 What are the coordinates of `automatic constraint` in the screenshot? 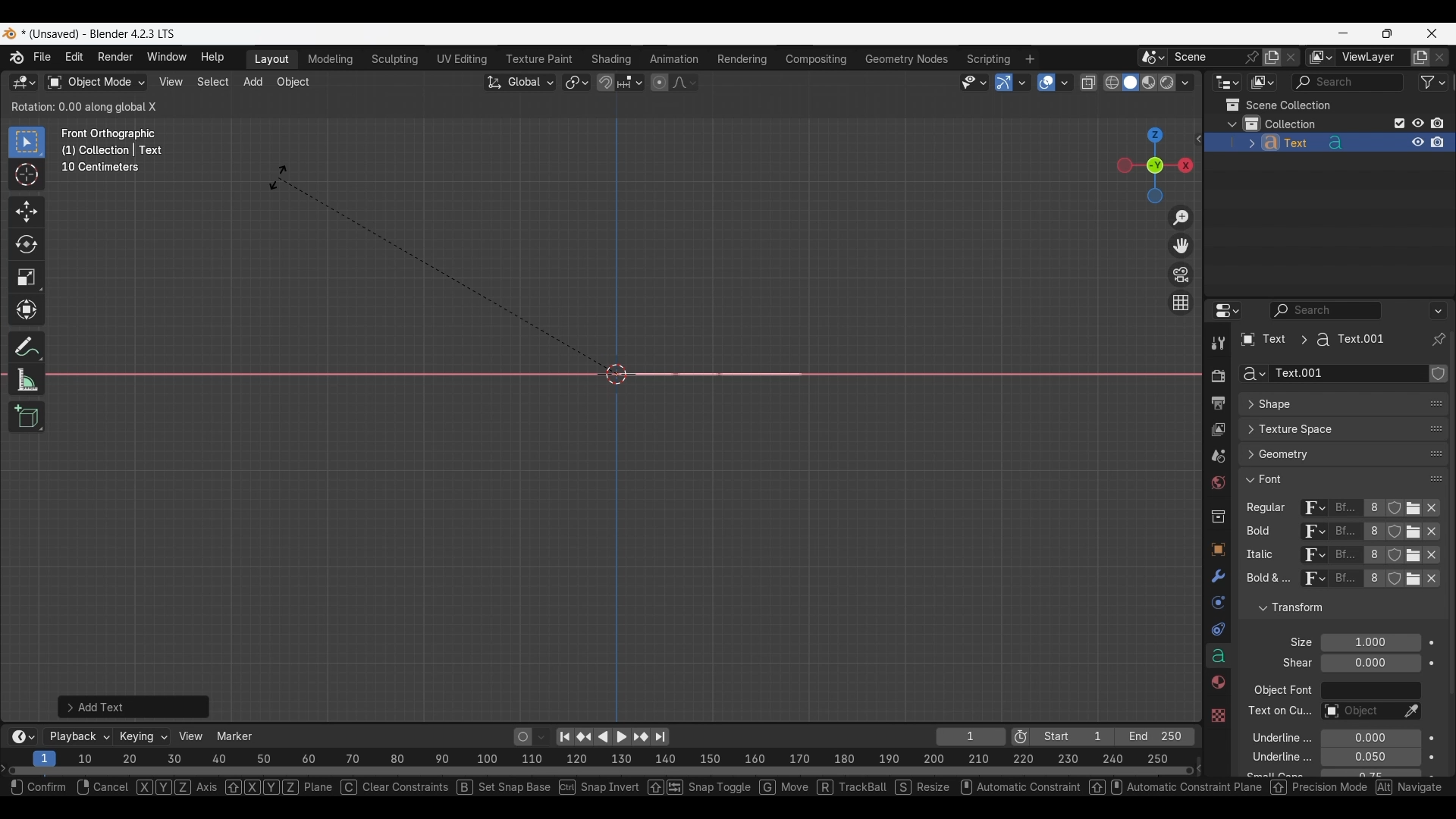 It's located at (1017, 789).